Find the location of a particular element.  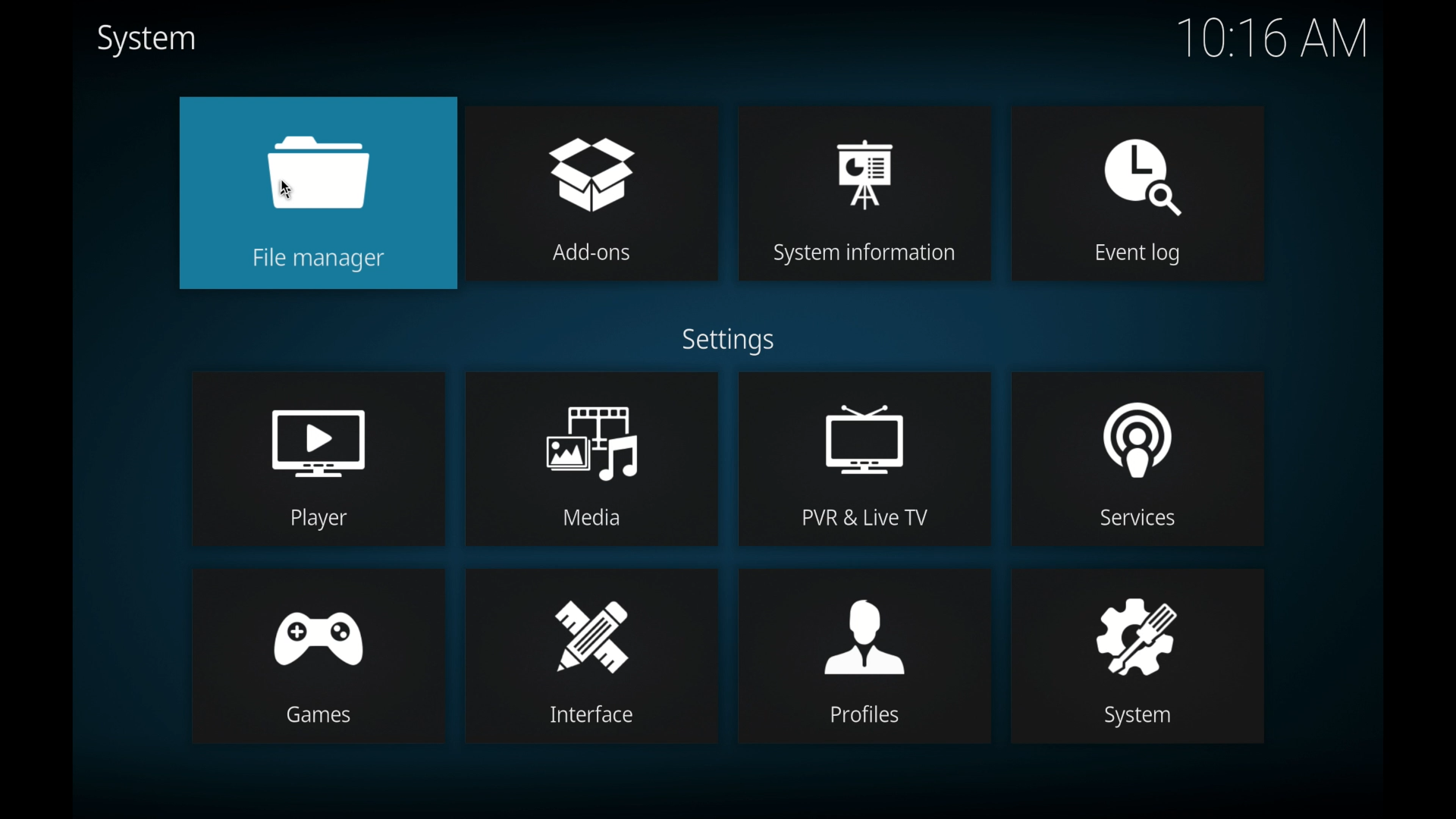

pvr & live tv is located at coordinates (864, 458).